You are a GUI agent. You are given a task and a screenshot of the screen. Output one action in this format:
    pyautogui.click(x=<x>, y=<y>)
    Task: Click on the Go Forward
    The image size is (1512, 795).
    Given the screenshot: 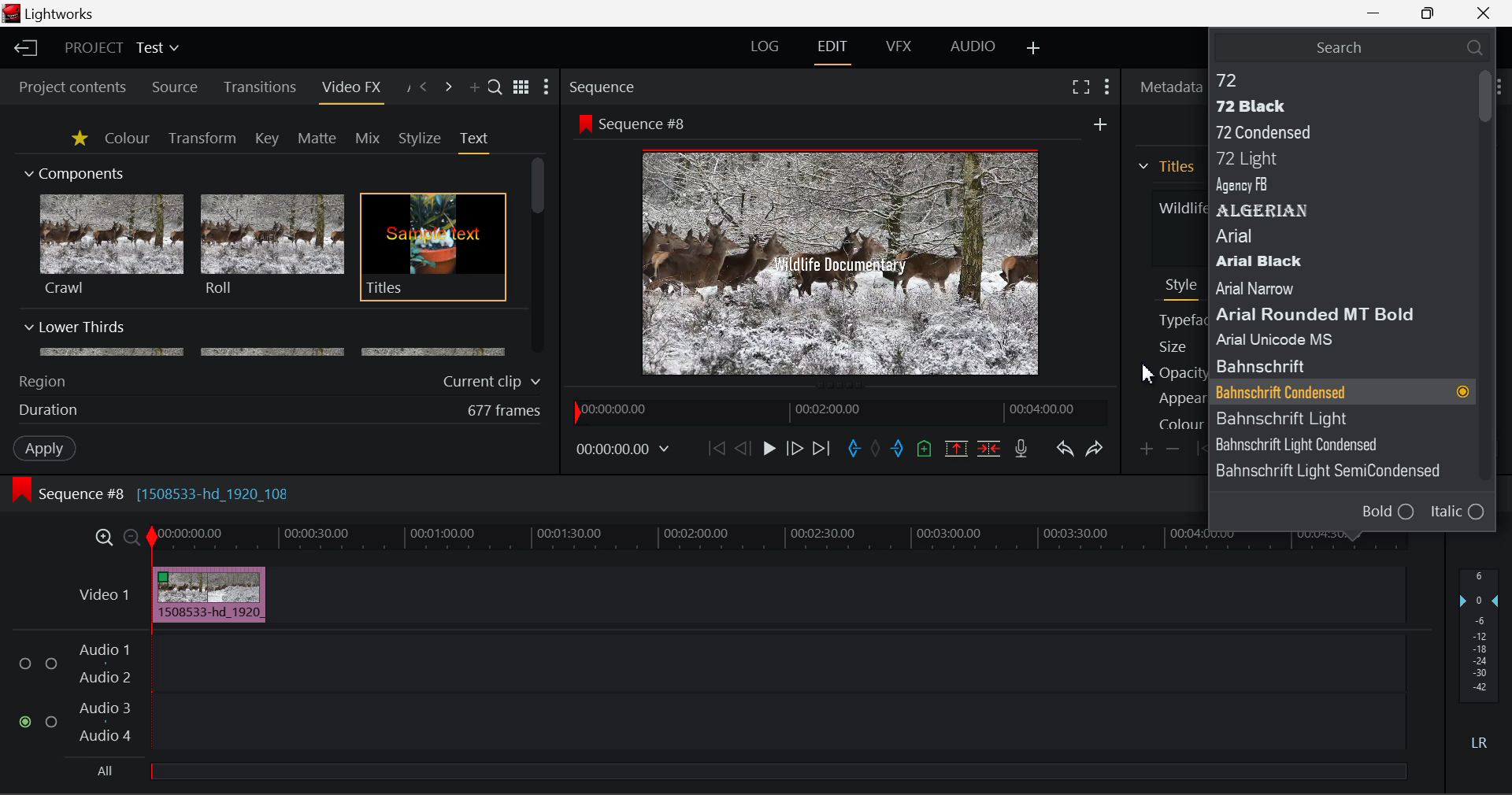 What is the action you would take?
    pyautogui.click(x=794, y=449)
    